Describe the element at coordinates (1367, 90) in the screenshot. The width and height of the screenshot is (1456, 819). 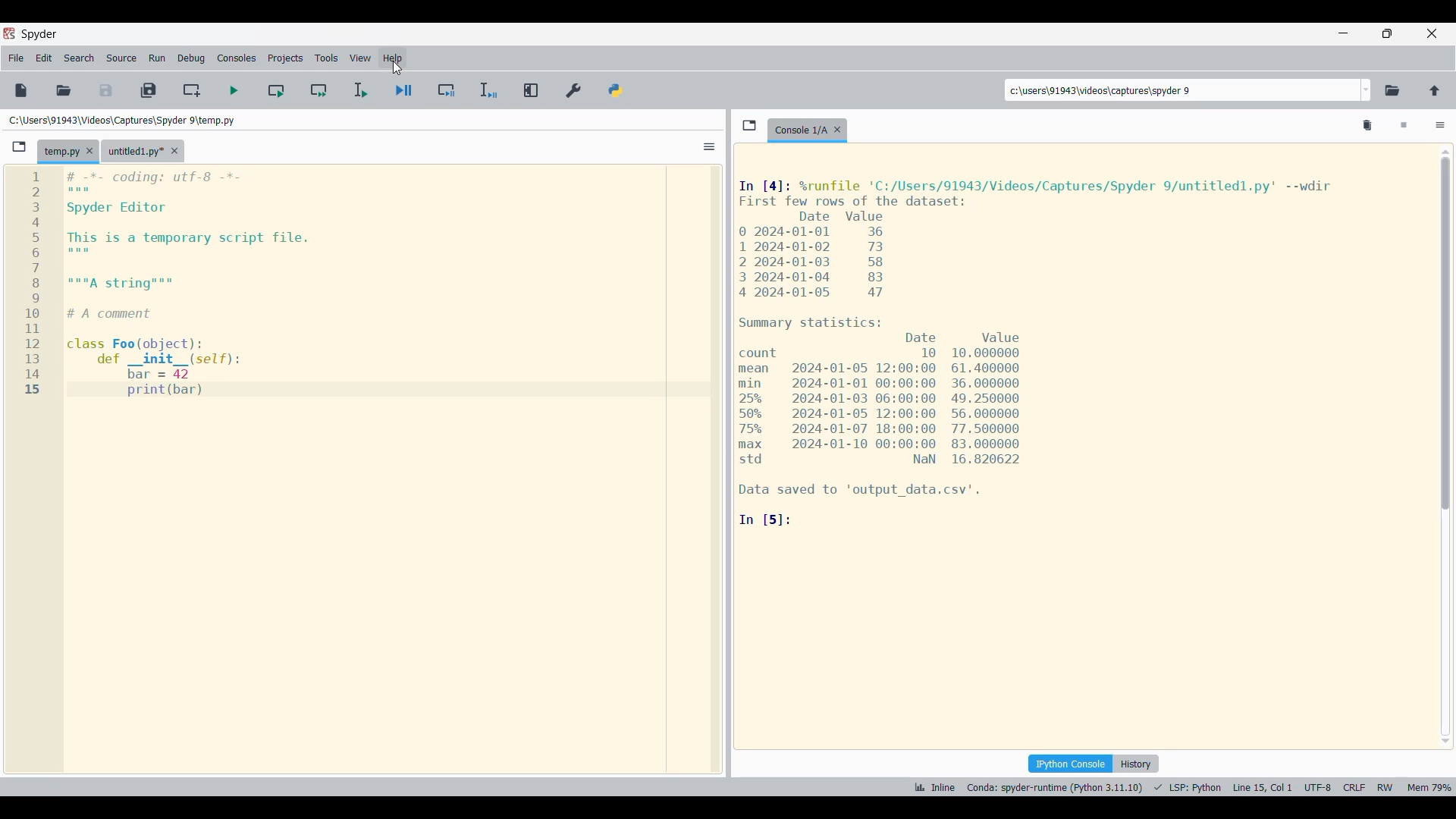
I see `Folder location options` at that location.